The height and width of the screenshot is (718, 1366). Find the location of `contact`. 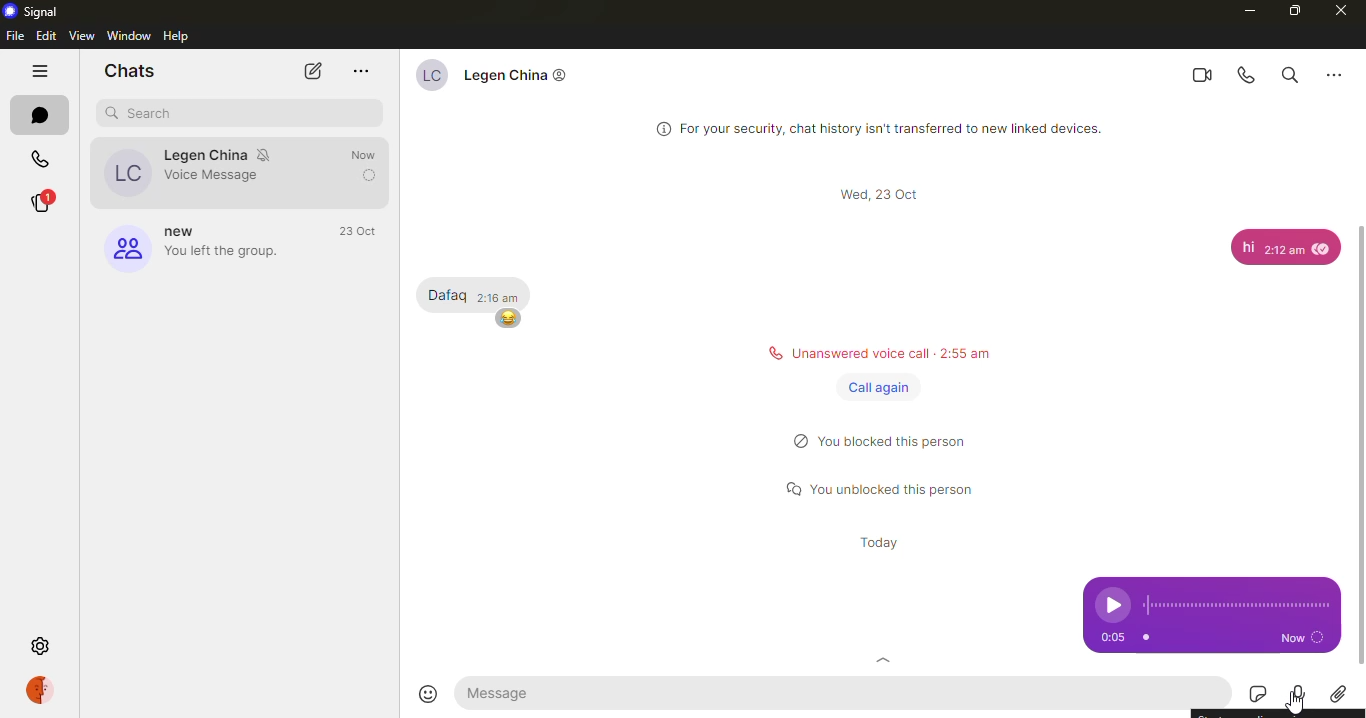

contact is located at coordinates (238, 153).